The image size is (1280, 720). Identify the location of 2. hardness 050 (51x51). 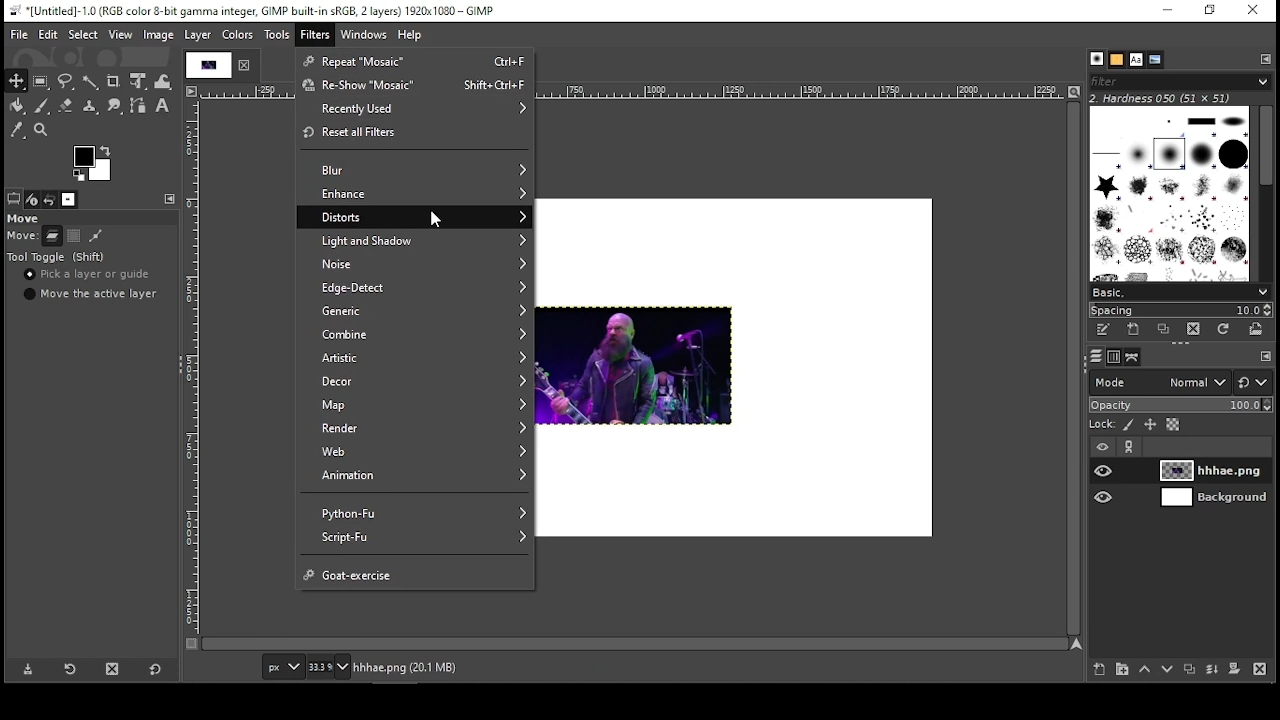
(1180, 98).